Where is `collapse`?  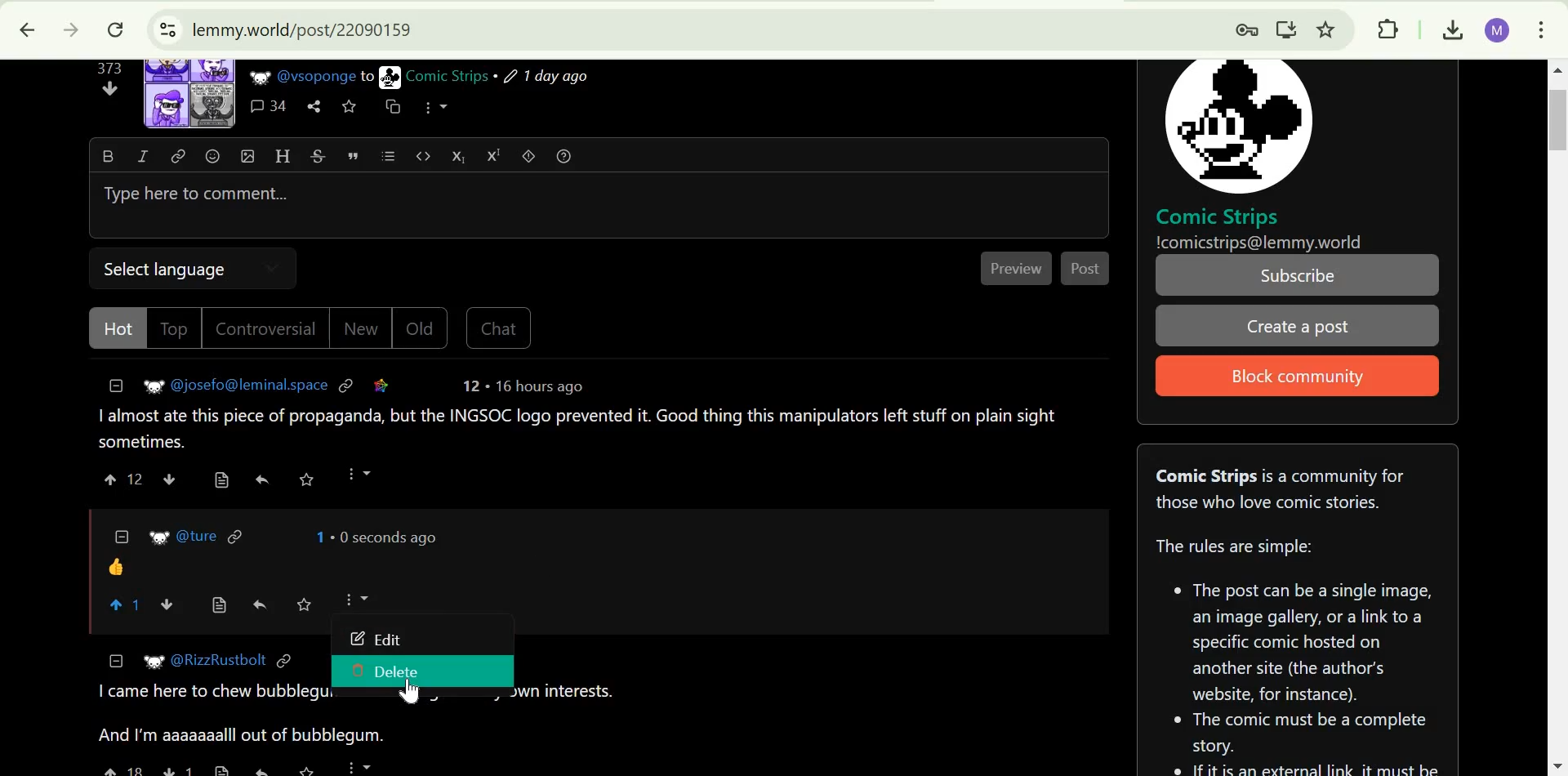
collapse is located at coordinates (122, 535).